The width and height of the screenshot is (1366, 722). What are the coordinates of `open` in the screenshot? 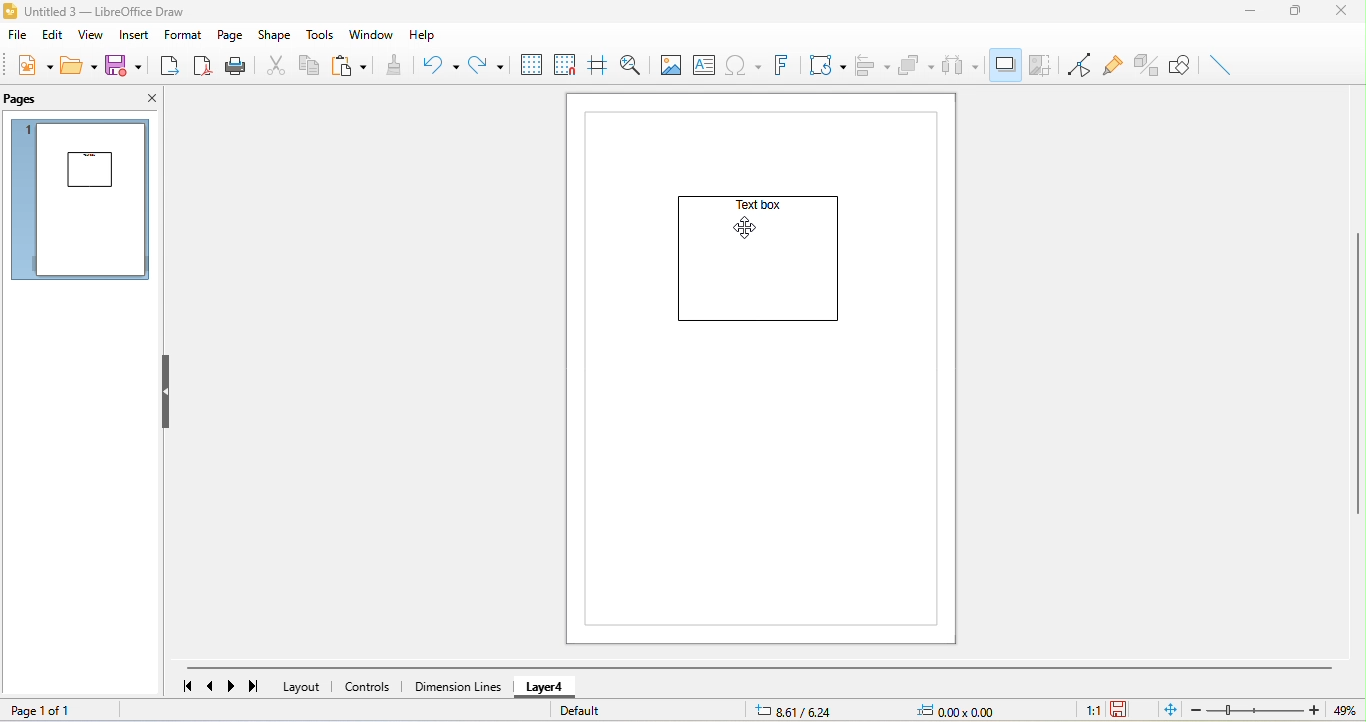 It's located at (81, 64).